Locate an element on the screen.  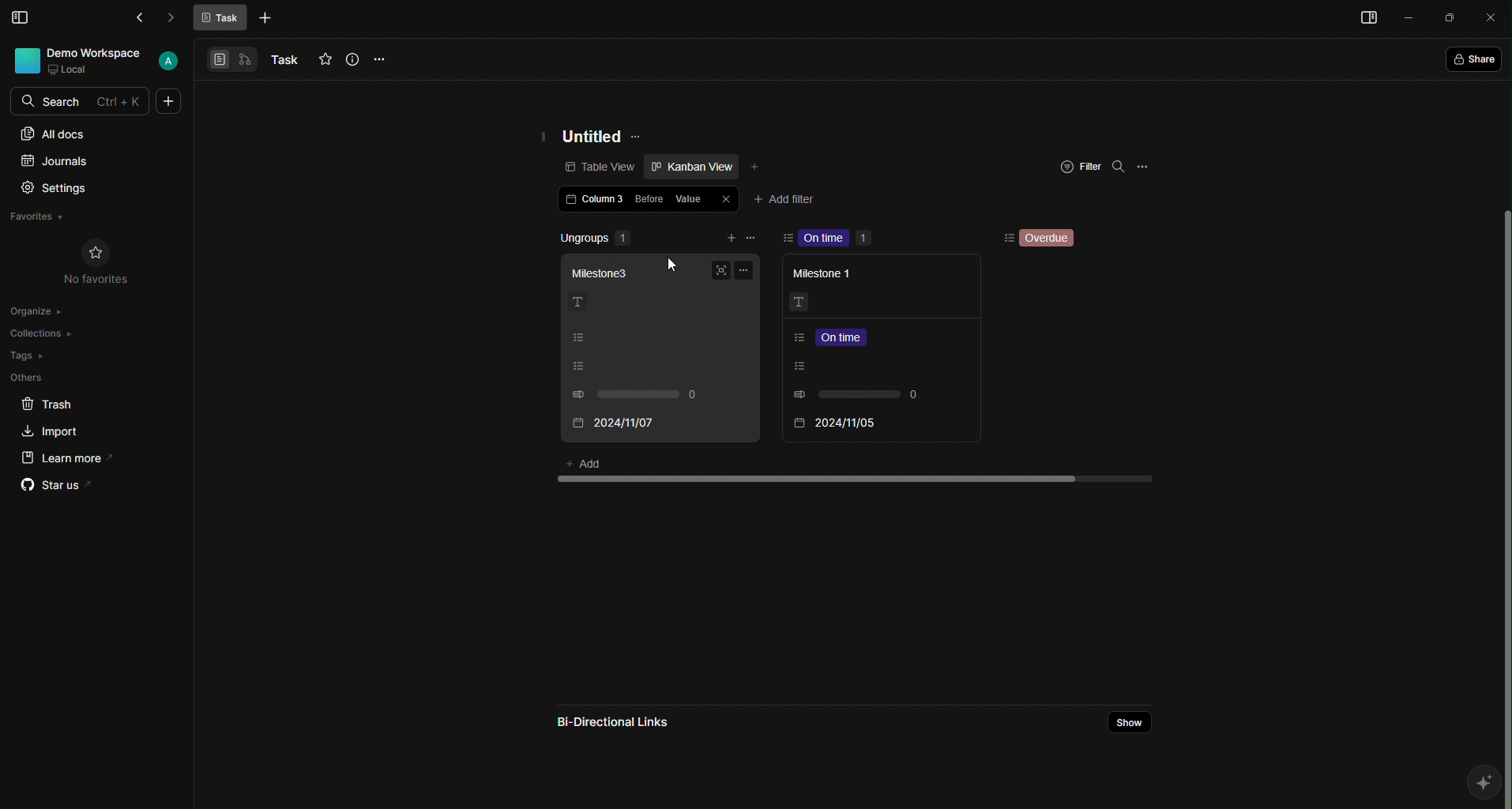
AI is located at coordinates (1486, 785).